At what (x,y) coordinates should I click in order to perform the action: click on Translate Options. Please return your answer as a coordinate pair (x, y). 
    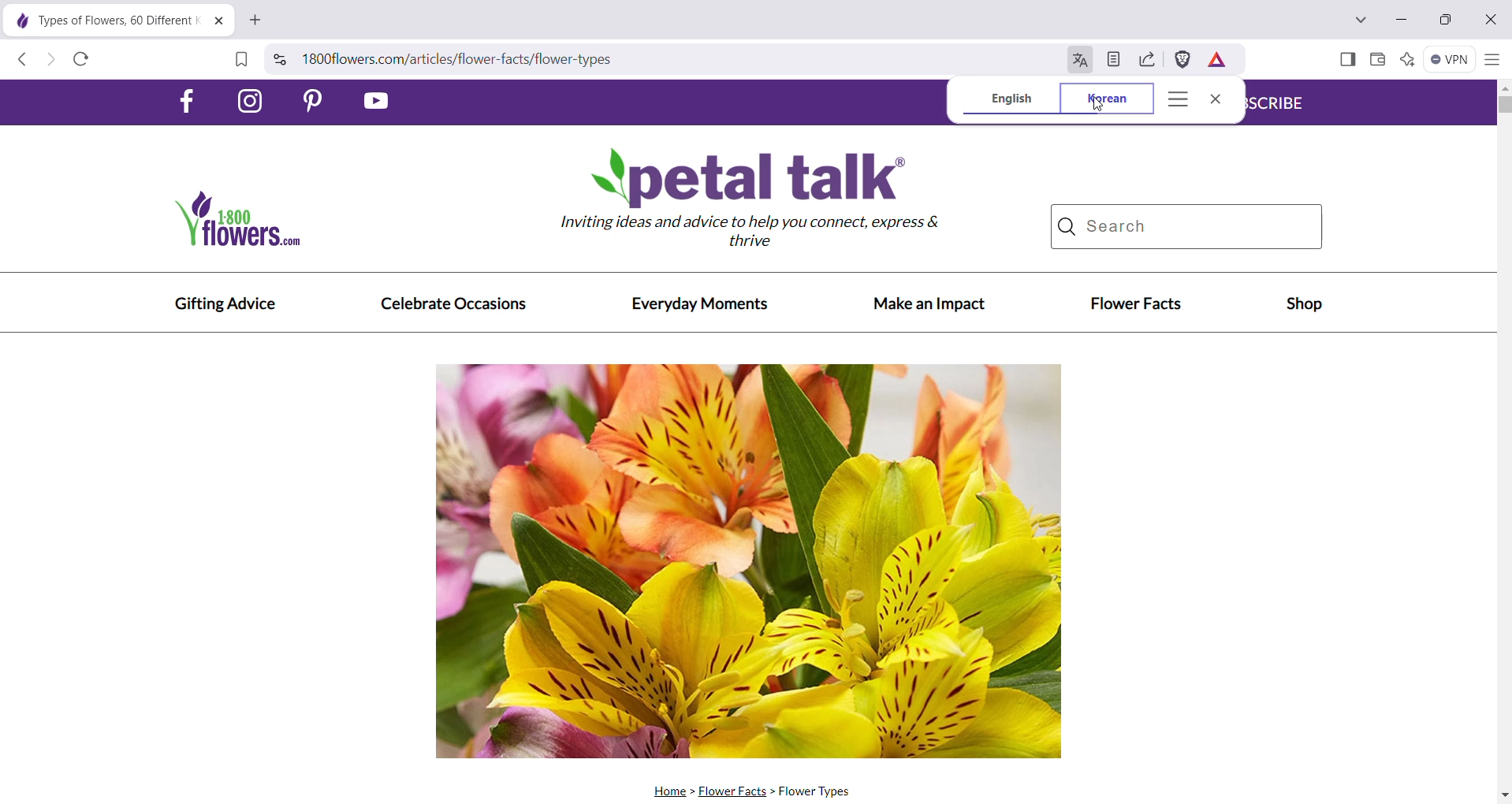
    Looking at the image, I should click on (1179, 99).